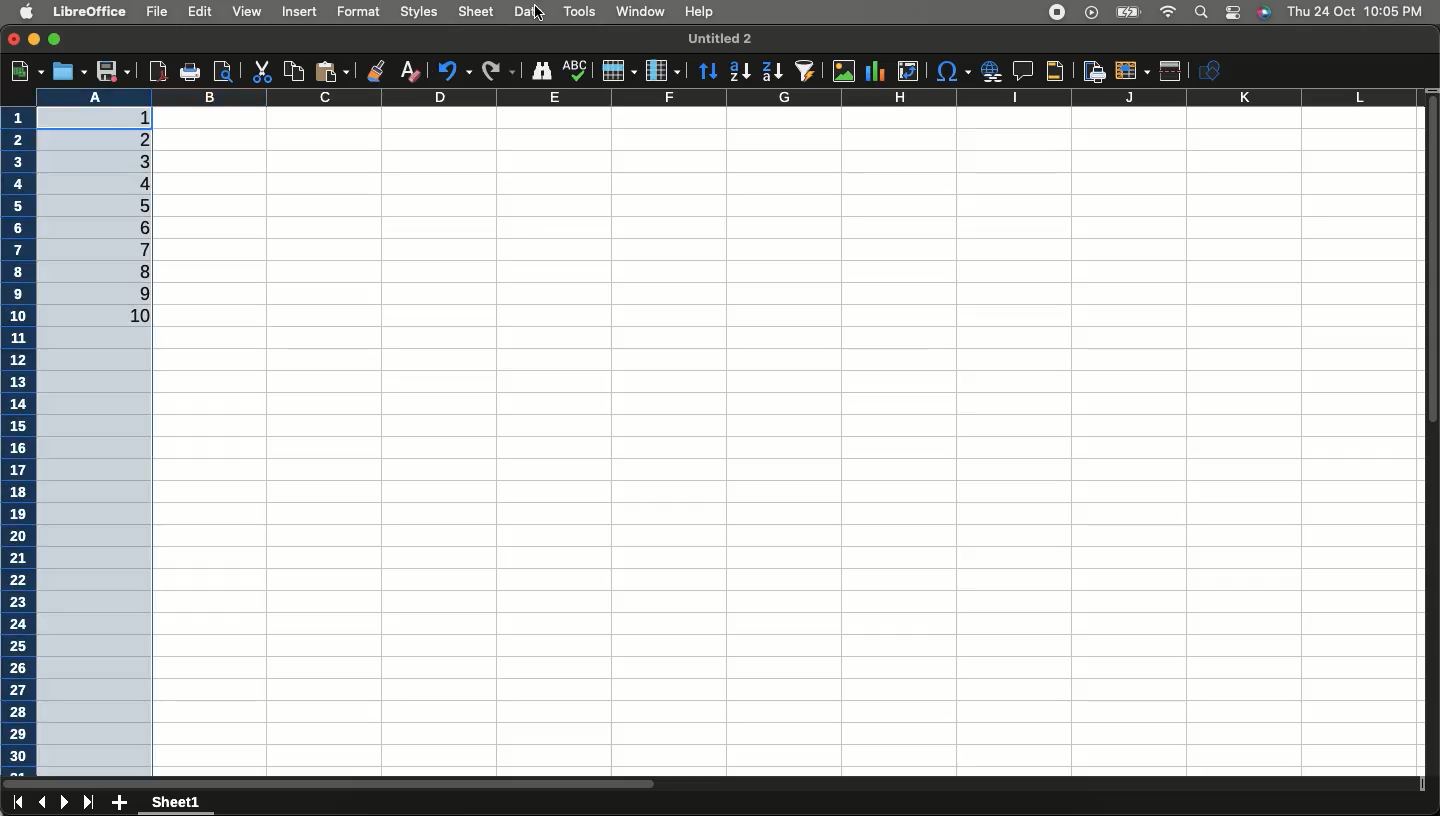 The width and height of the screenshot is (1440, 816). I want to click on Spelling, so click(575, 71).